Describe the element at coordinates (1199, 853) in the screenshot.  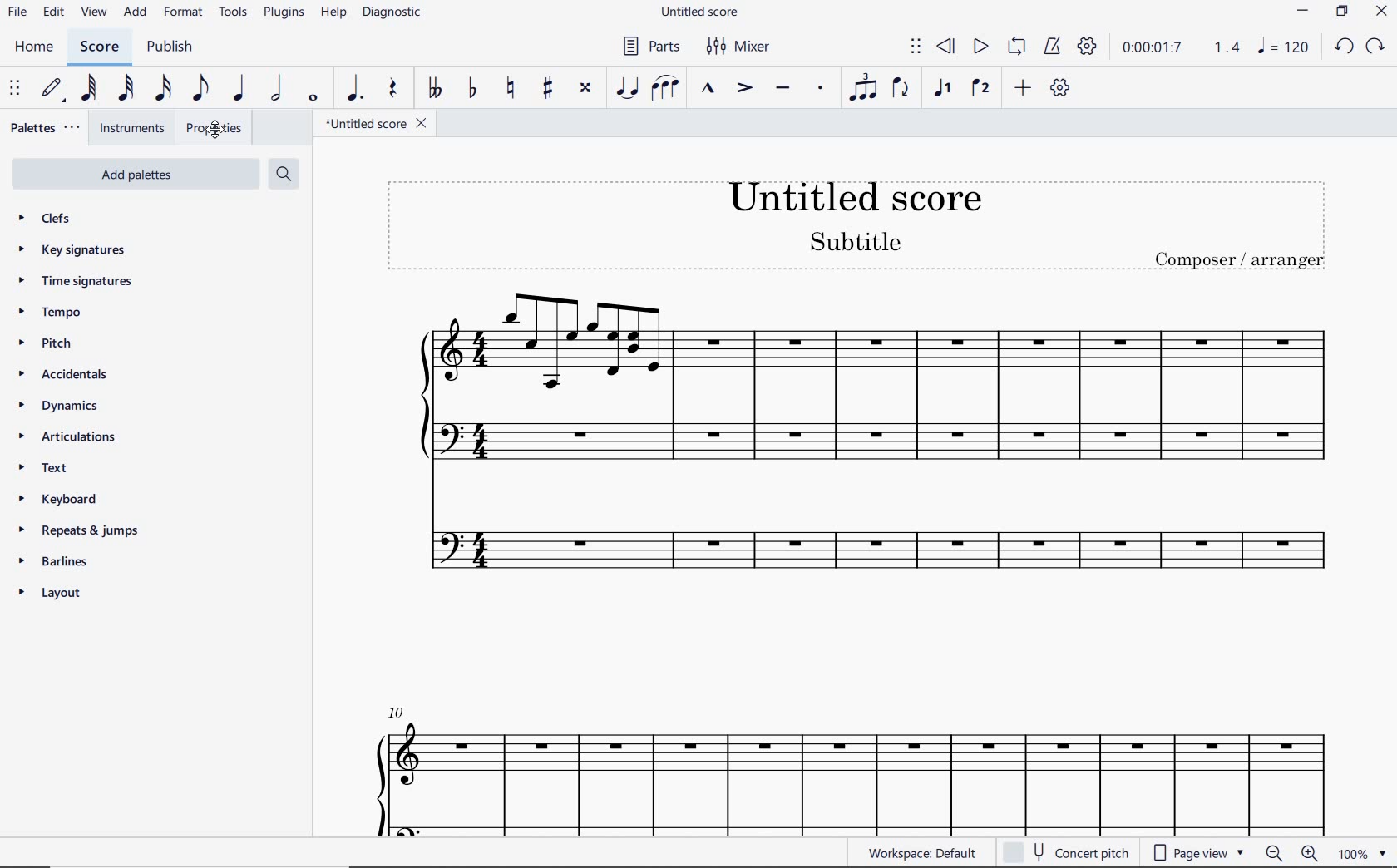
I see `PAGE VIEW` at that location.